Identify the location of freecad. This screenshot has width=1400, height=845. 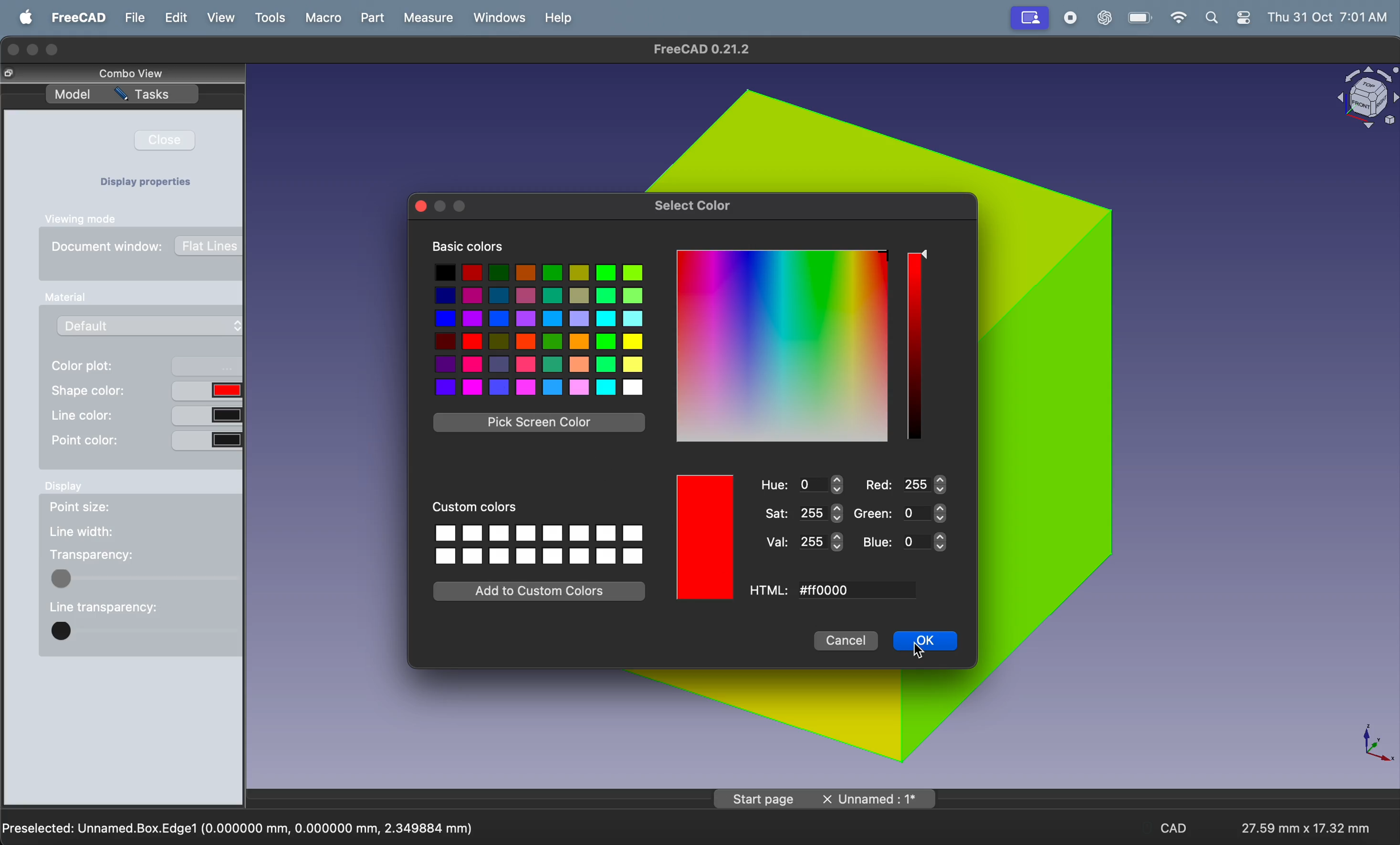
(77, 18).